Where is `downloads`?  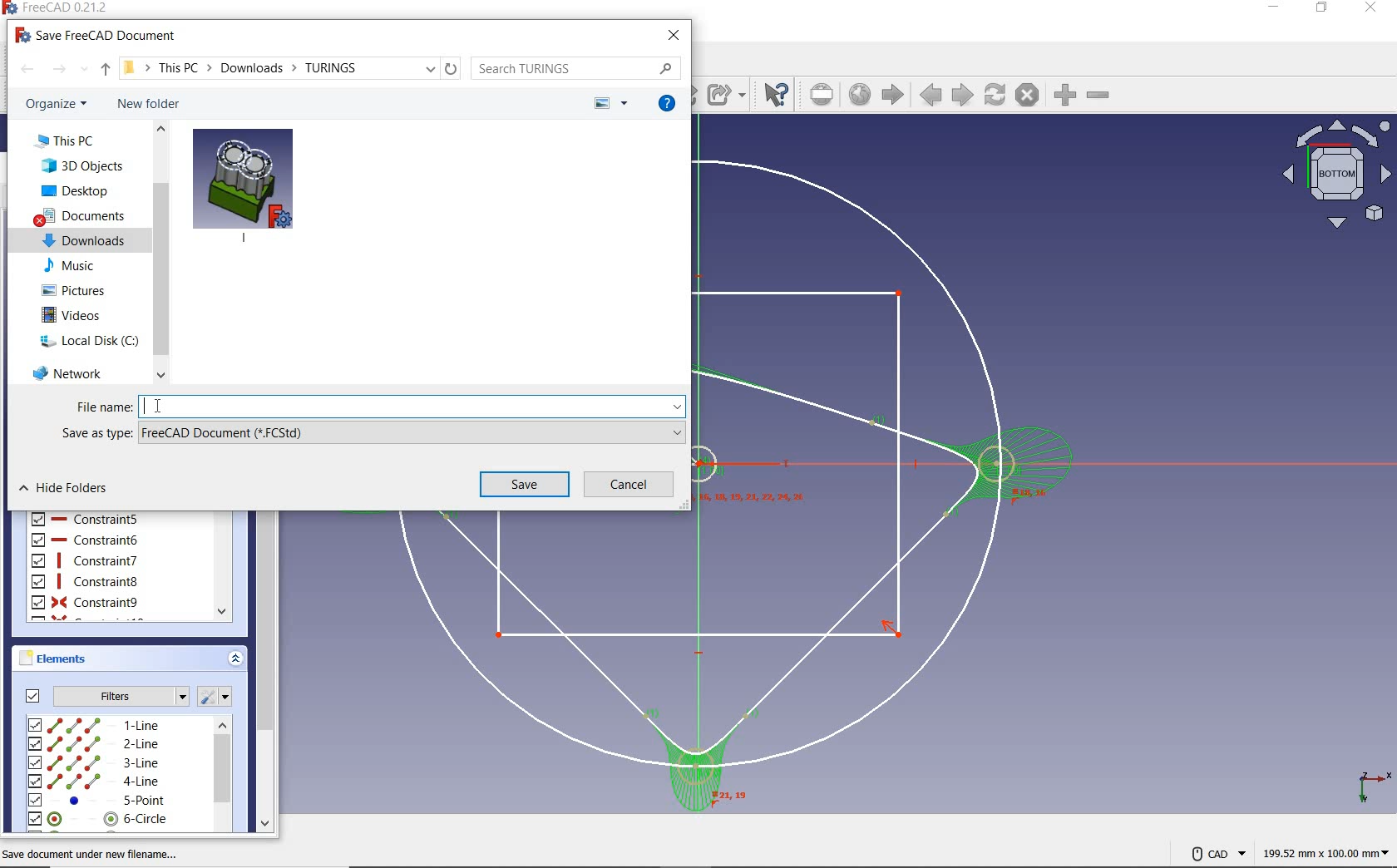
downloads is located at coordinates (85, 239).